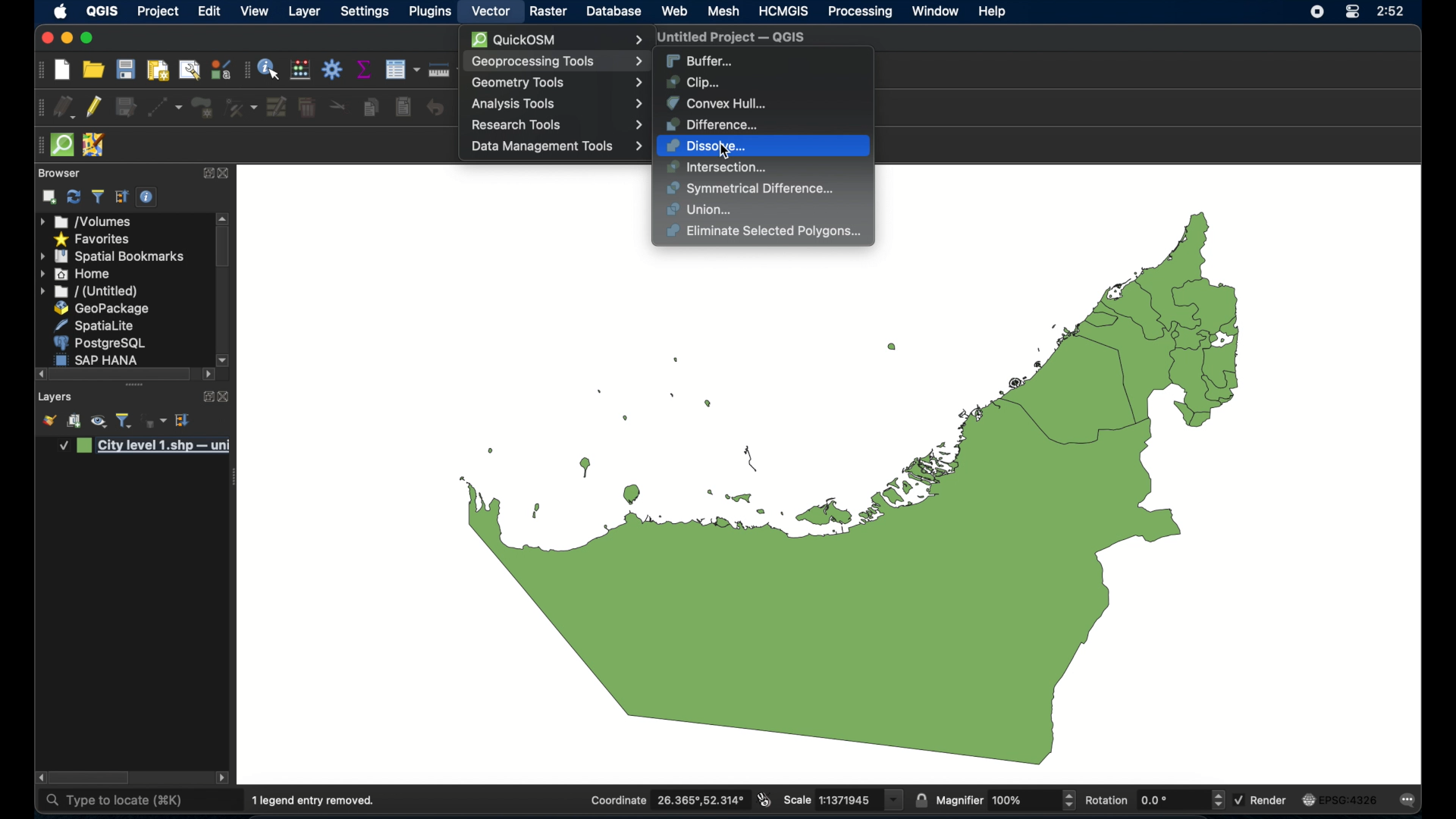 This screenshot has width=1456, height=819. What do you see at coordinates (124, 421) in the screenshot?
I see `filter legend` at bounding box center [124, 421].